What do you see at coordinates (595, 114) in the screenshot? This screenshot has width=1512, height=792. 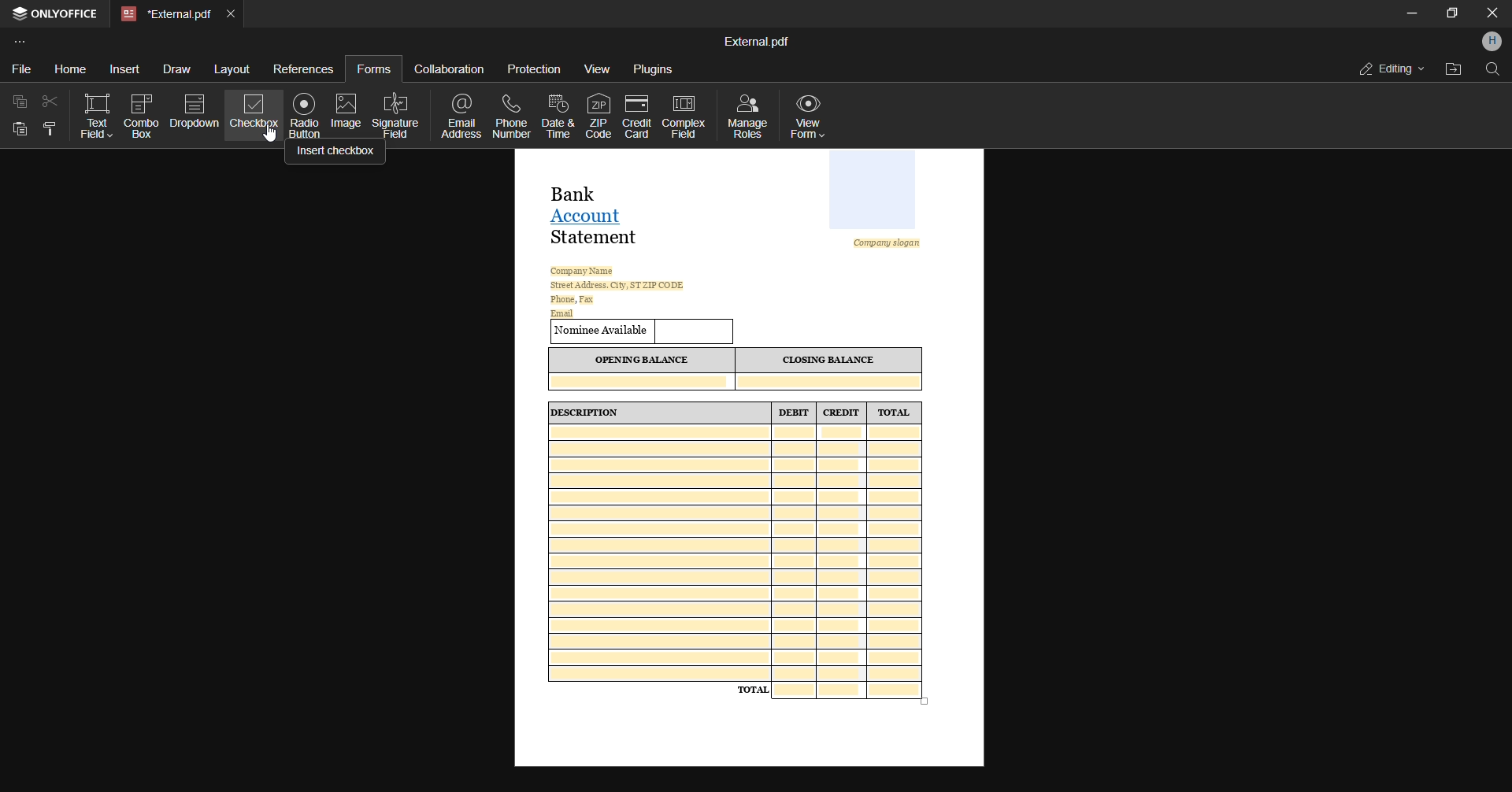 I see `zip code` at bounding box center [595, 114].